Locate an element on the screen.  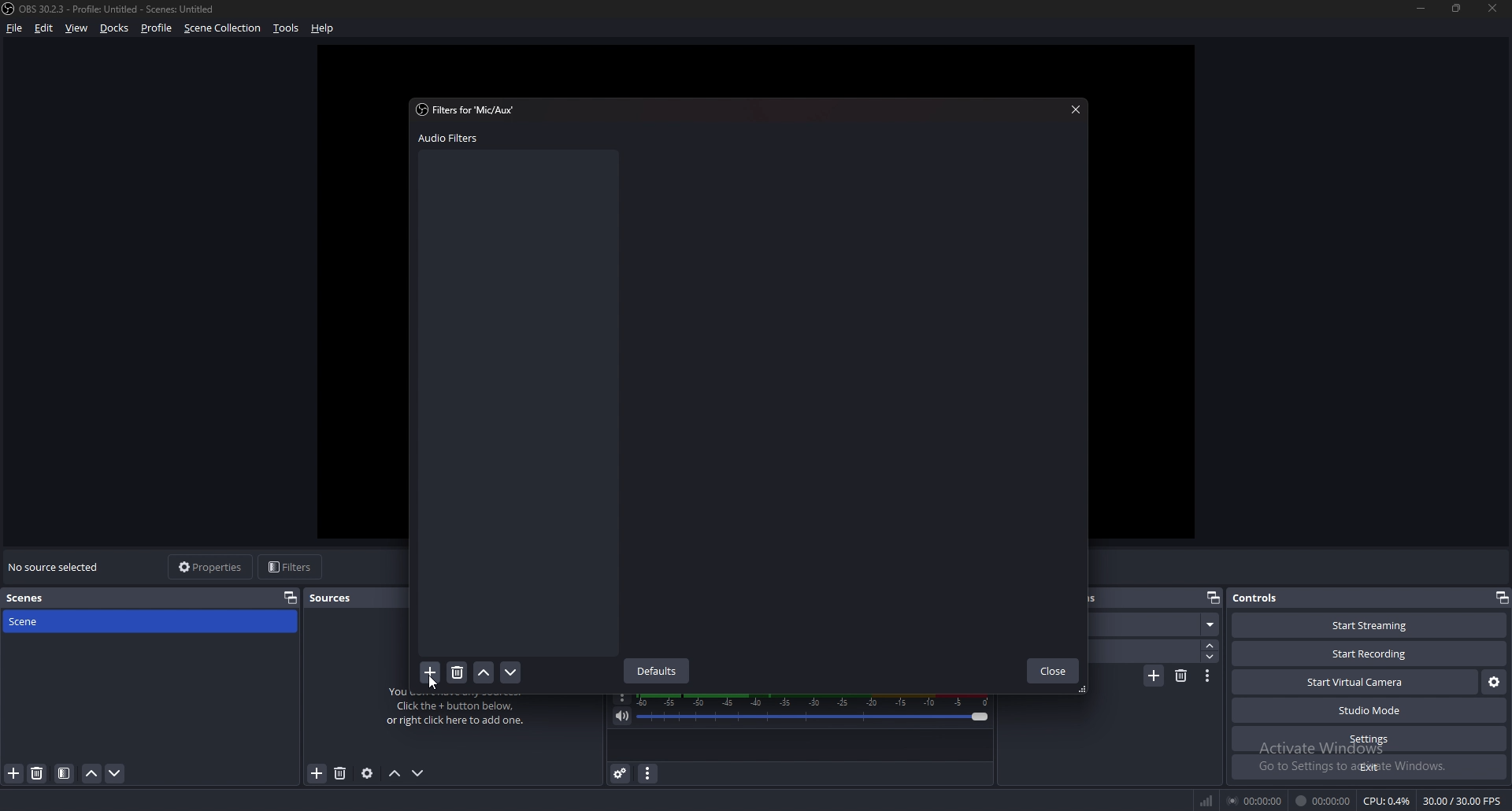
controls is located at coordinates (1262, 598).